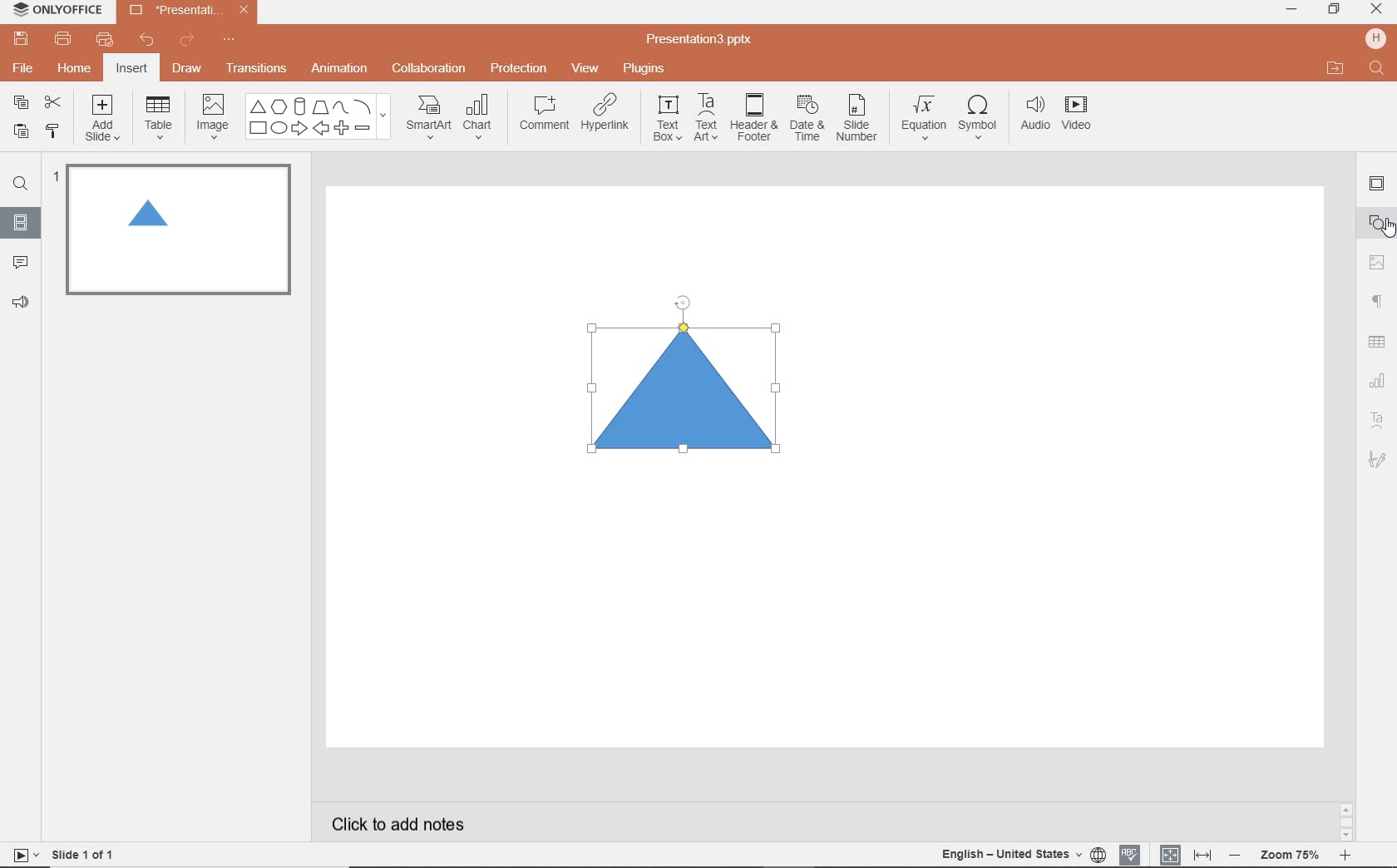 The image size is (1397, 868). I want to click on CHART, so click(480, 118).